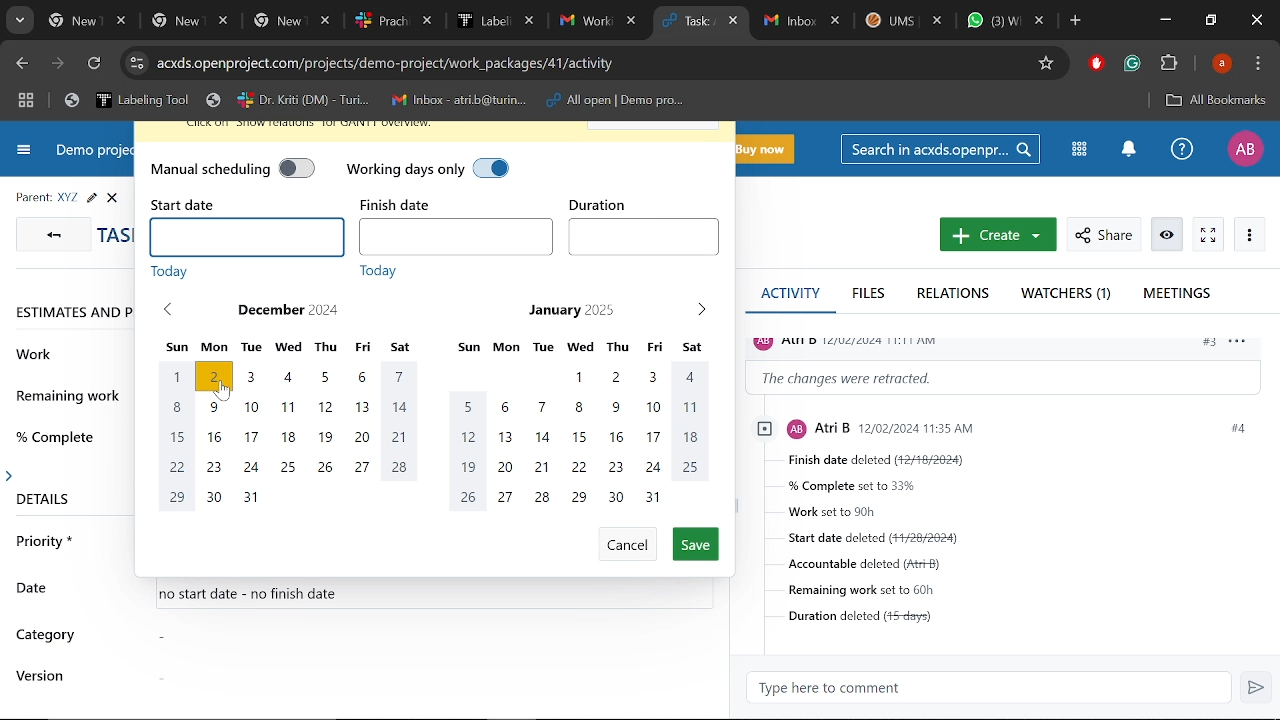 The image size is (1280, 720). I want to click on All bookmarks, so click(1215, 101).